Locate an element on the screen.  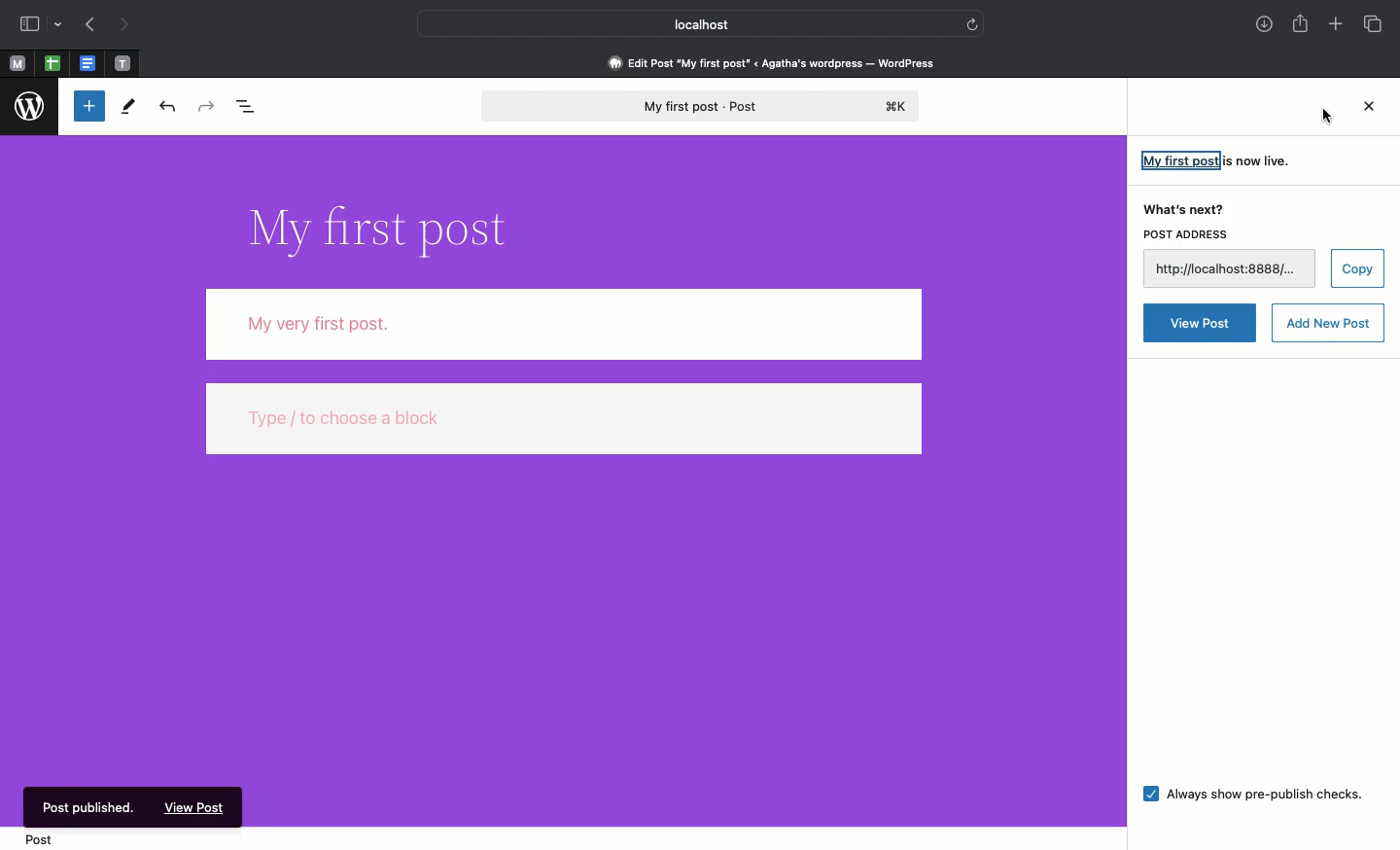
Add new post is located at coordinates (1329, 322).